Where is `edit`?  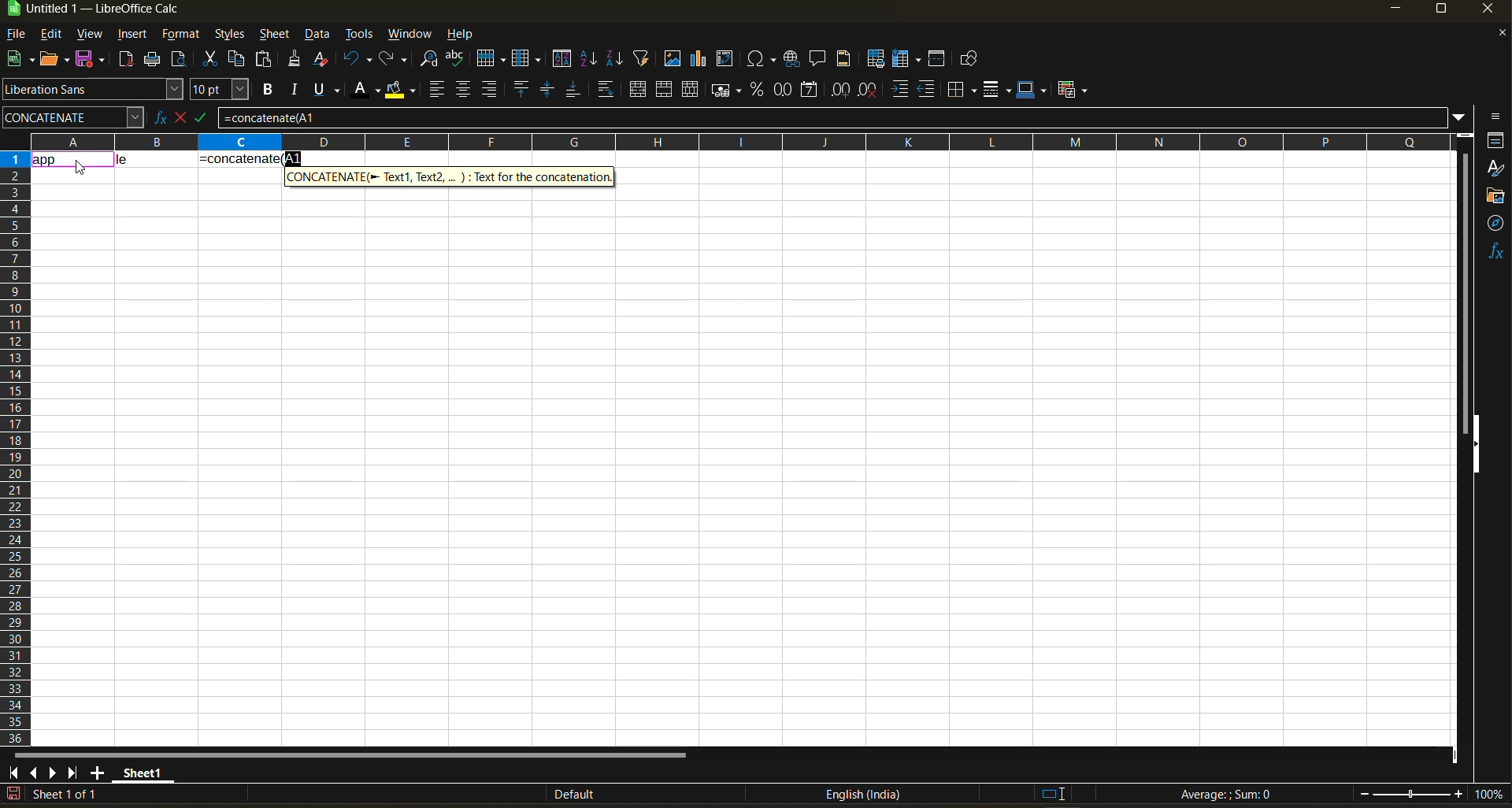 edit is located at coordinates (51, 32).